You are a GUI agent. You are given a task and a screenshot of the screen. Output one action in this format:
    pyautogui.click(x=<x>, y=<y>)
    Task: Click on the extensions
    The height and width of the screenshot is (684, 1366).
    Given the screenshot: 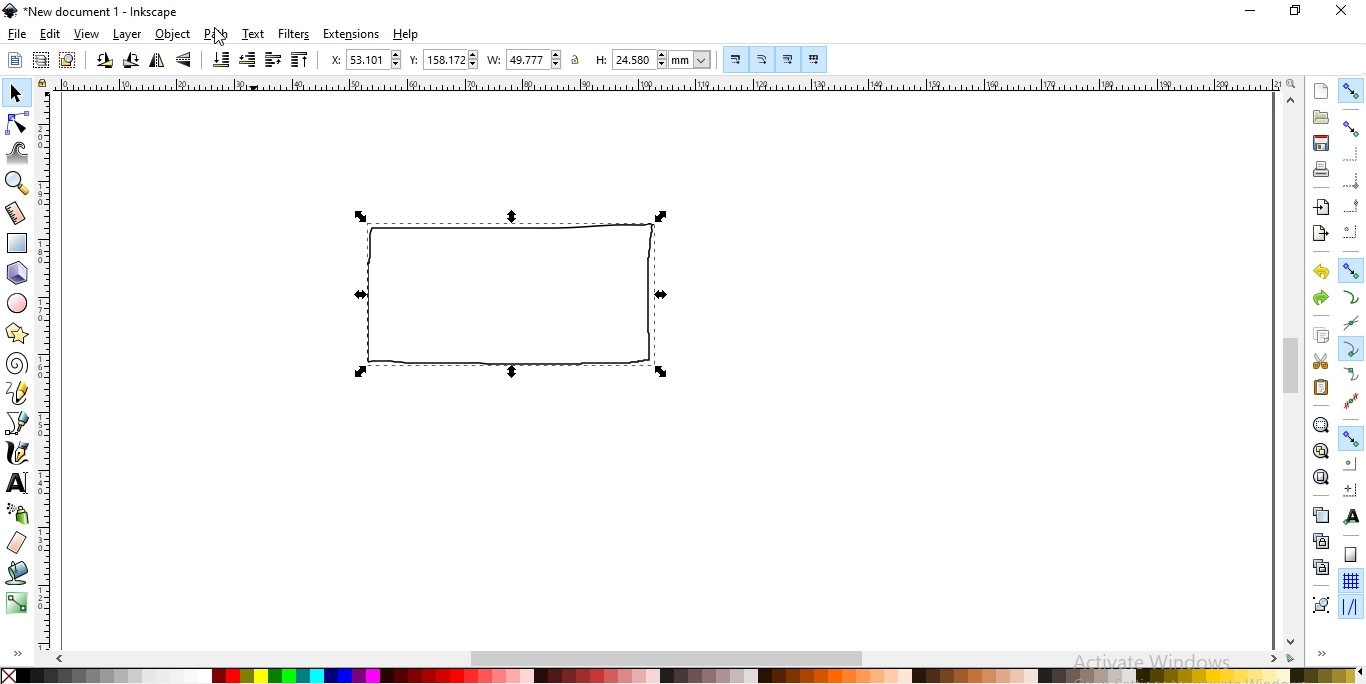 What is the action you would take?
    pyautogui.click(x=351, y=34)
    